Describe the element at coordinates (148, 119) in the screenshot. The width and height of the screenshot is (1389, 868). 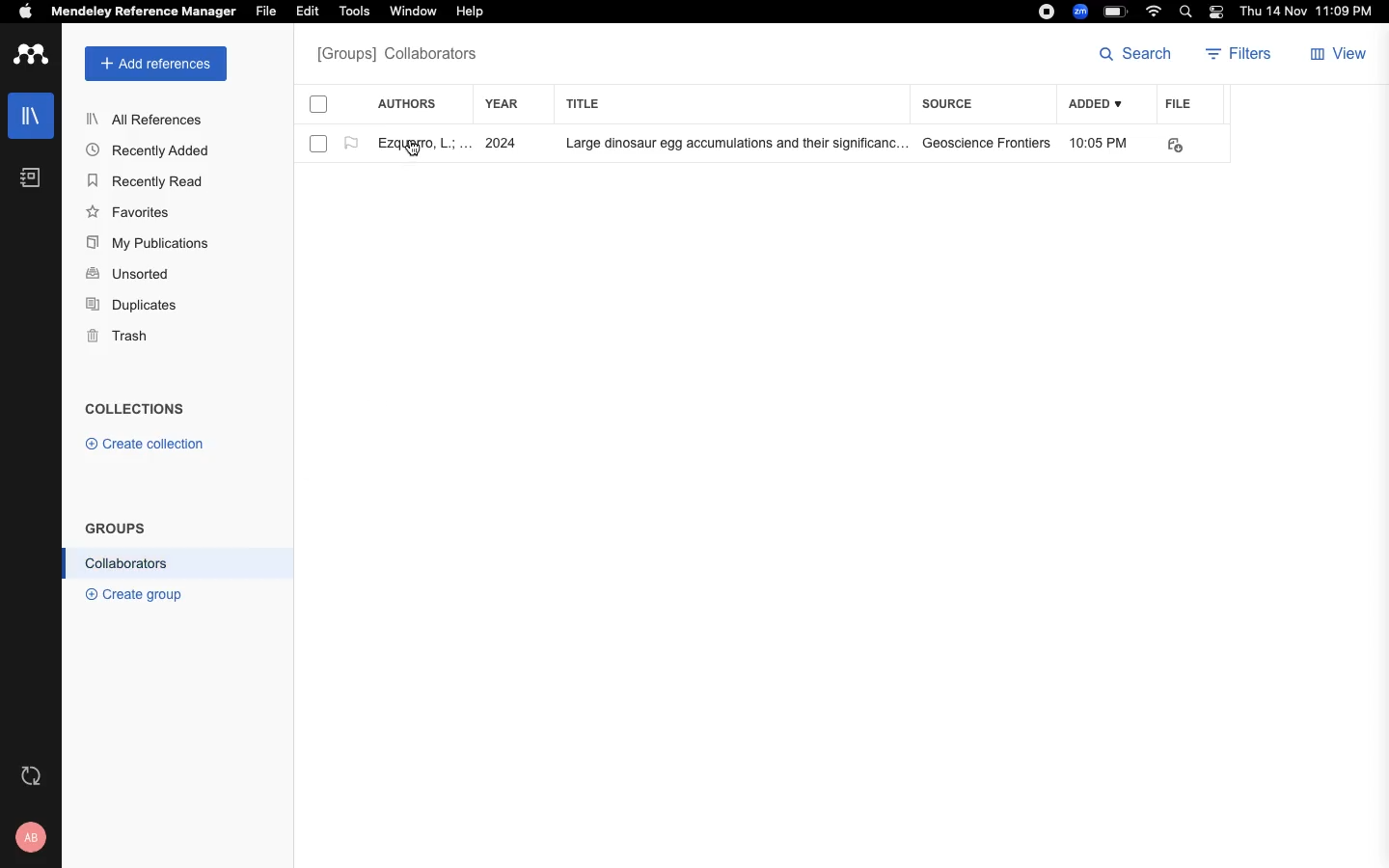
I see `All References` at that location.